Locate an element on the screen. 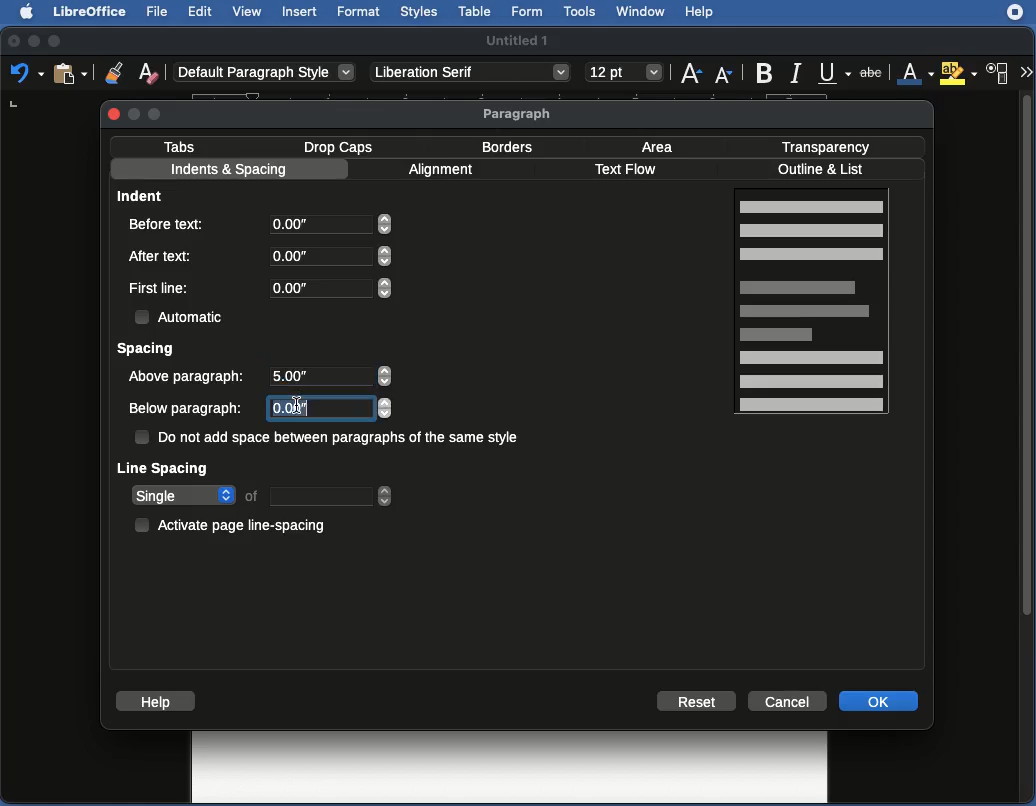  clipboard is located at coordinates (69, 73).